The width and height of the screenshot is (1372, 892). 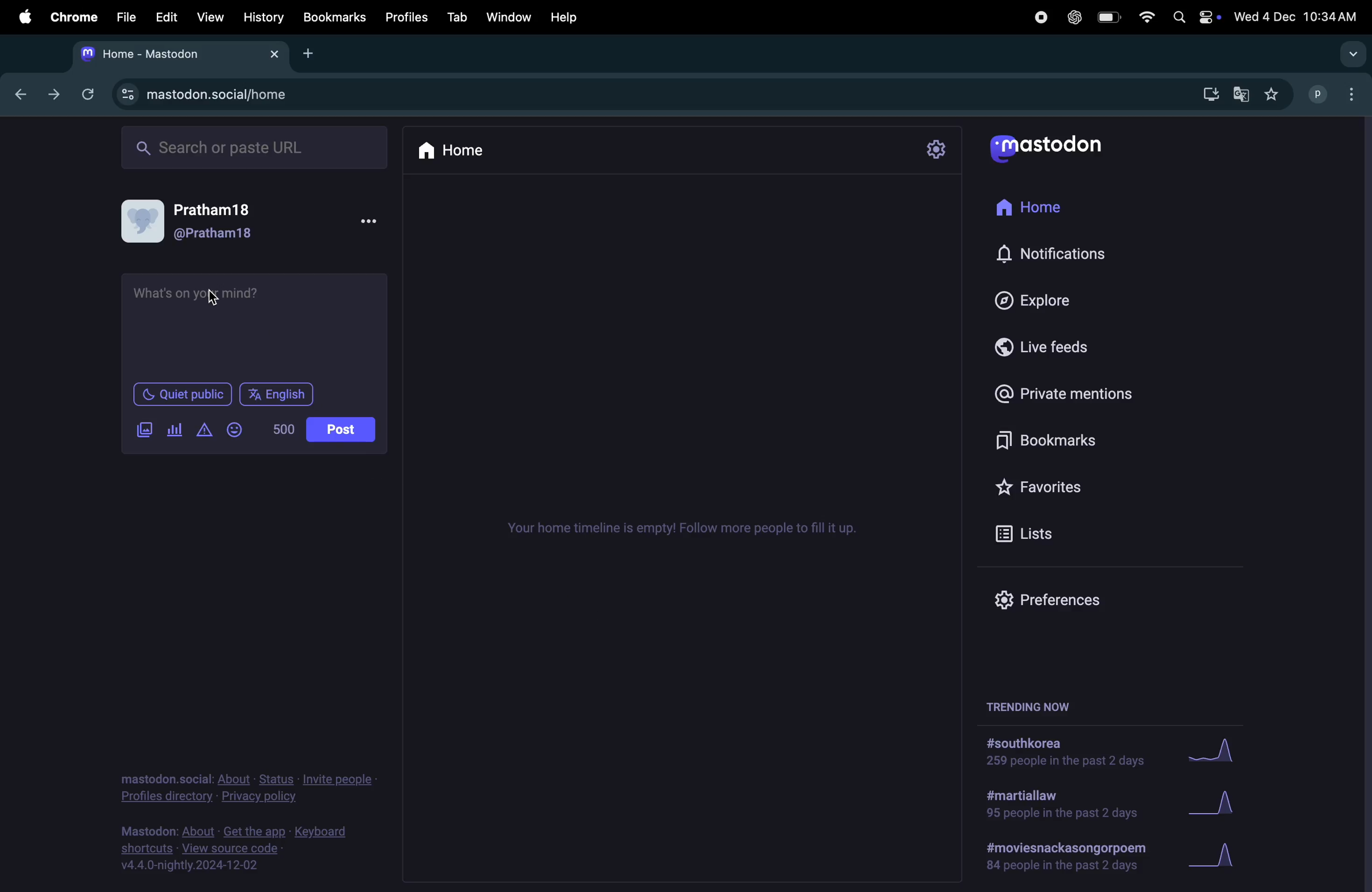 What do you see at coordinates (276, 394) in the screenshot?
I see `English` at bounding box center [276, 394].